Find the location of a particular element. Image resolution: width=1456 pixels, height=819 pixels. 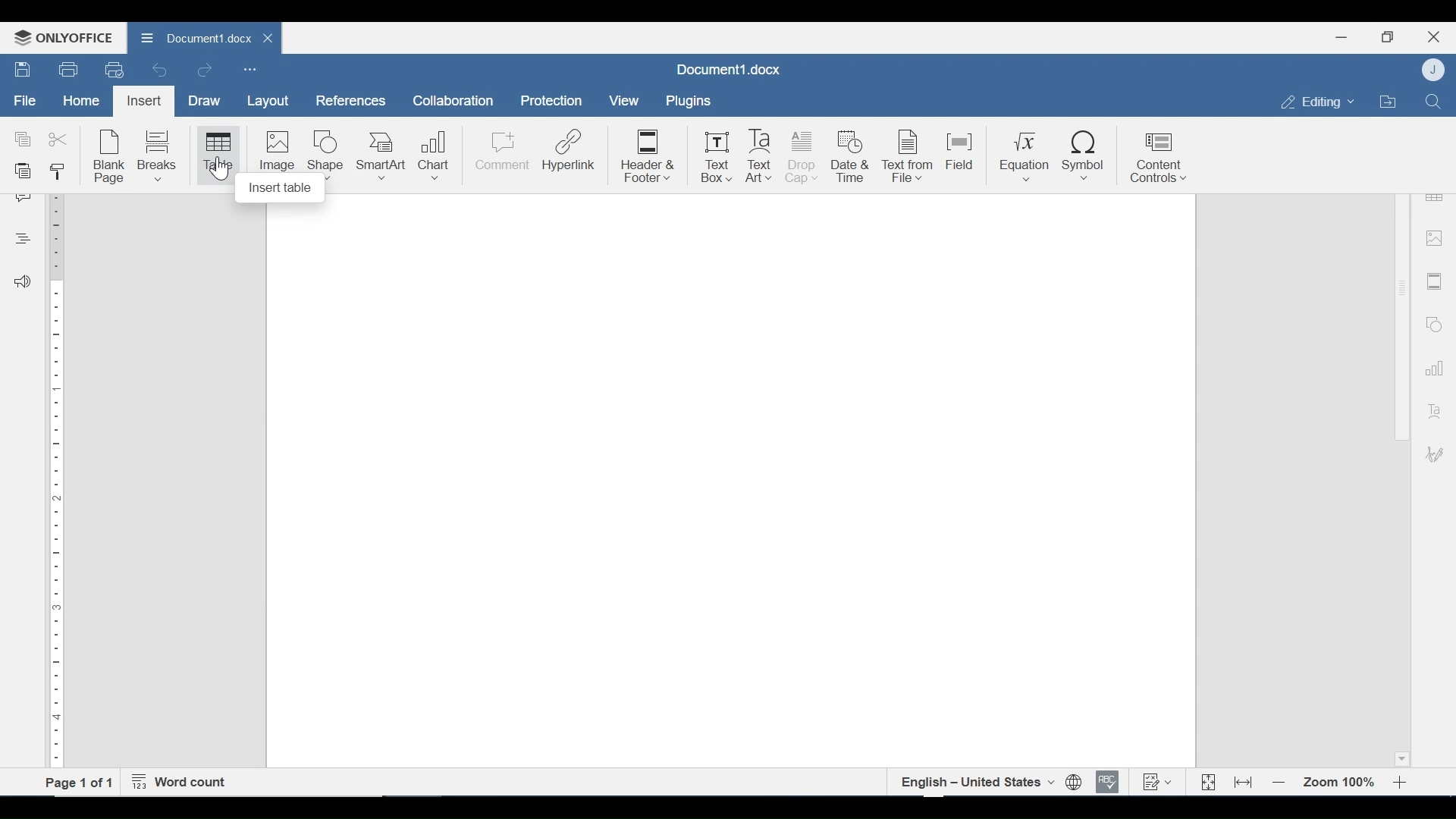

Text from File is located at coordinates (909, 156).